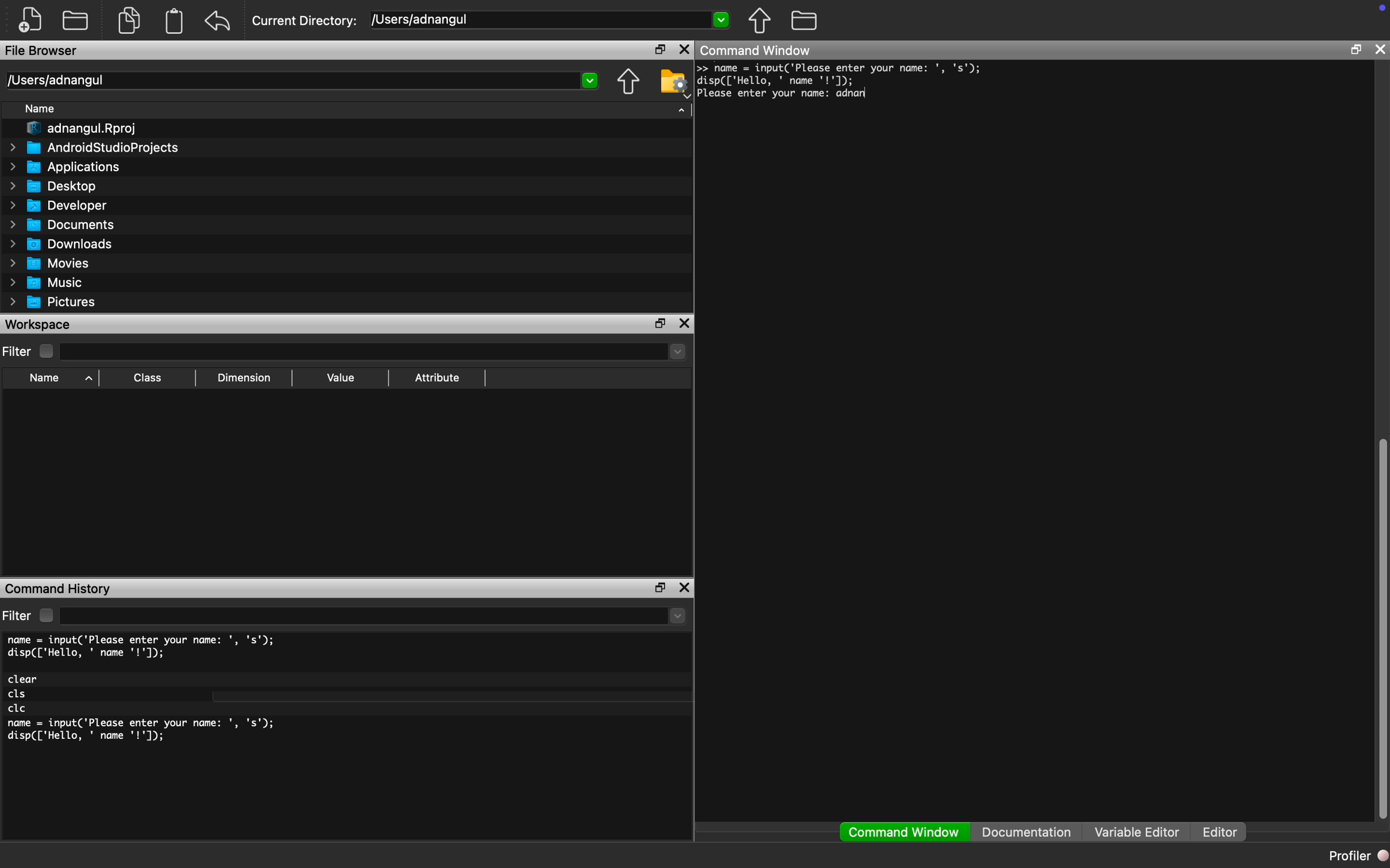 Image resolution: width=1390 pixels, height=868 pixels. I want to click on Movies, so click(47, 263).